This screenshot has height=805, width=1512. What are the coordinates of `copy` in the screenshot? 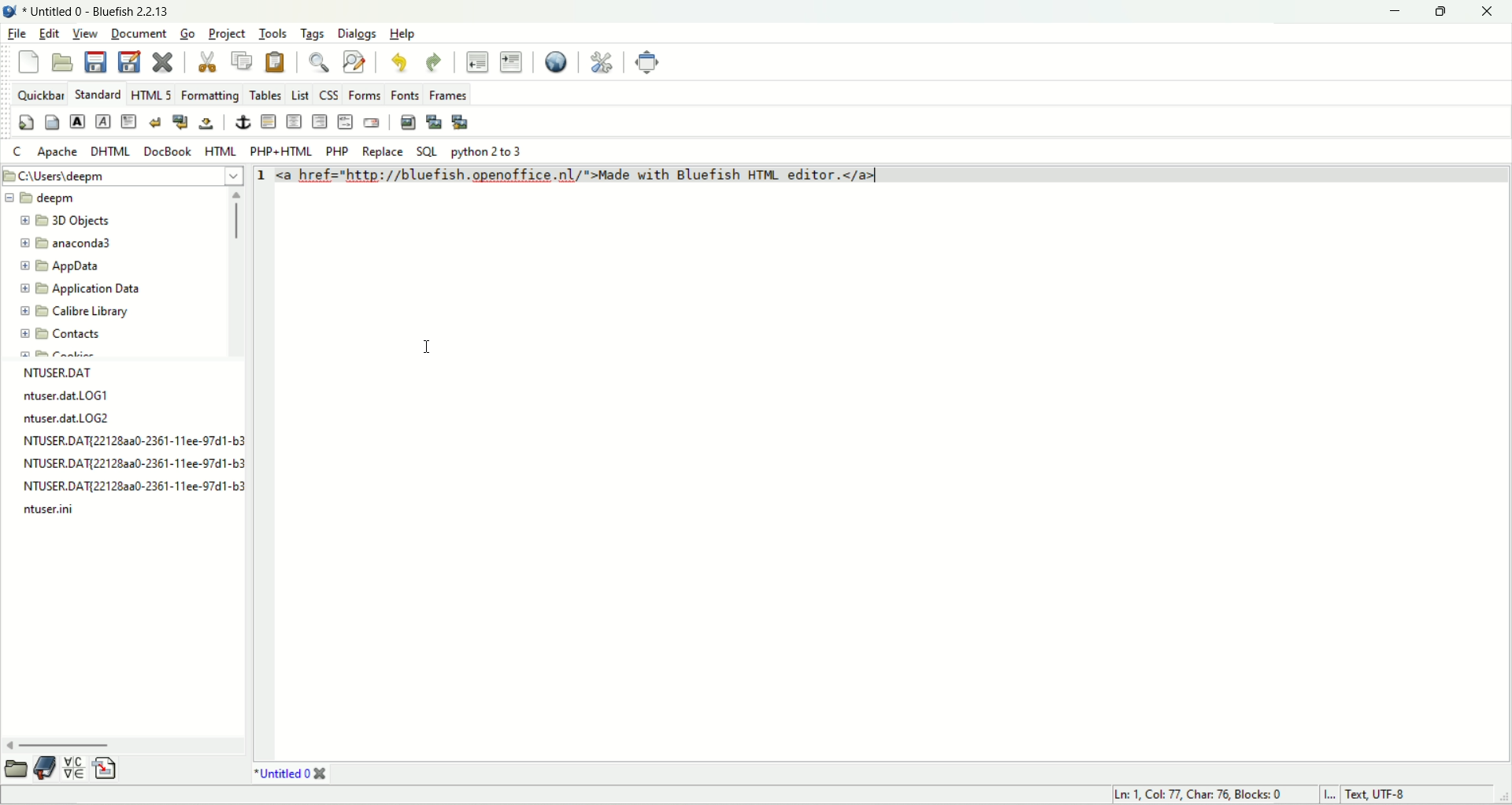 It's located at (238, 61).